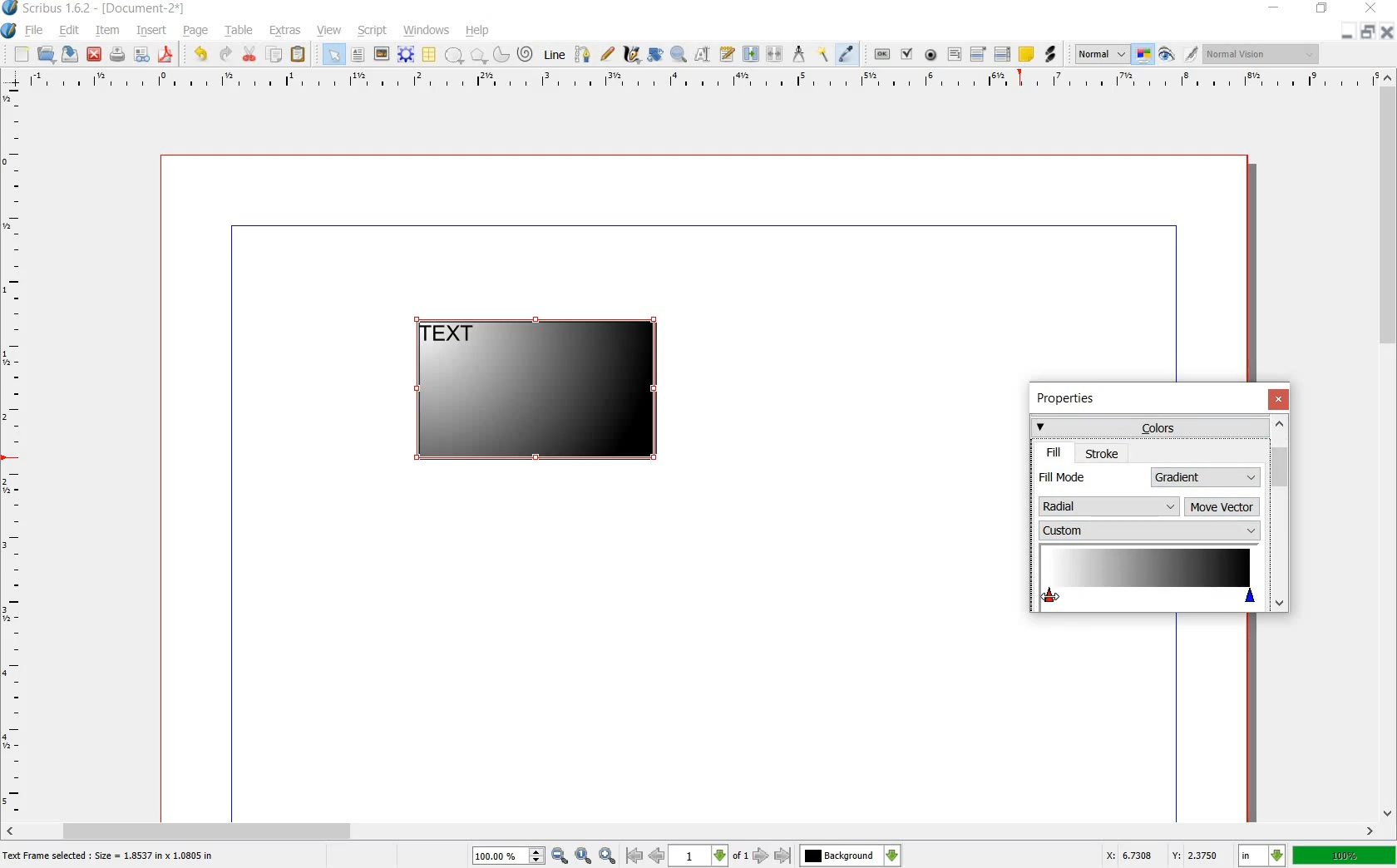 The width and height of the screenshot is (1397, 868). Describe the element at coordinates (906, 54) in the screenshot. I see `pdf check box` at that location.